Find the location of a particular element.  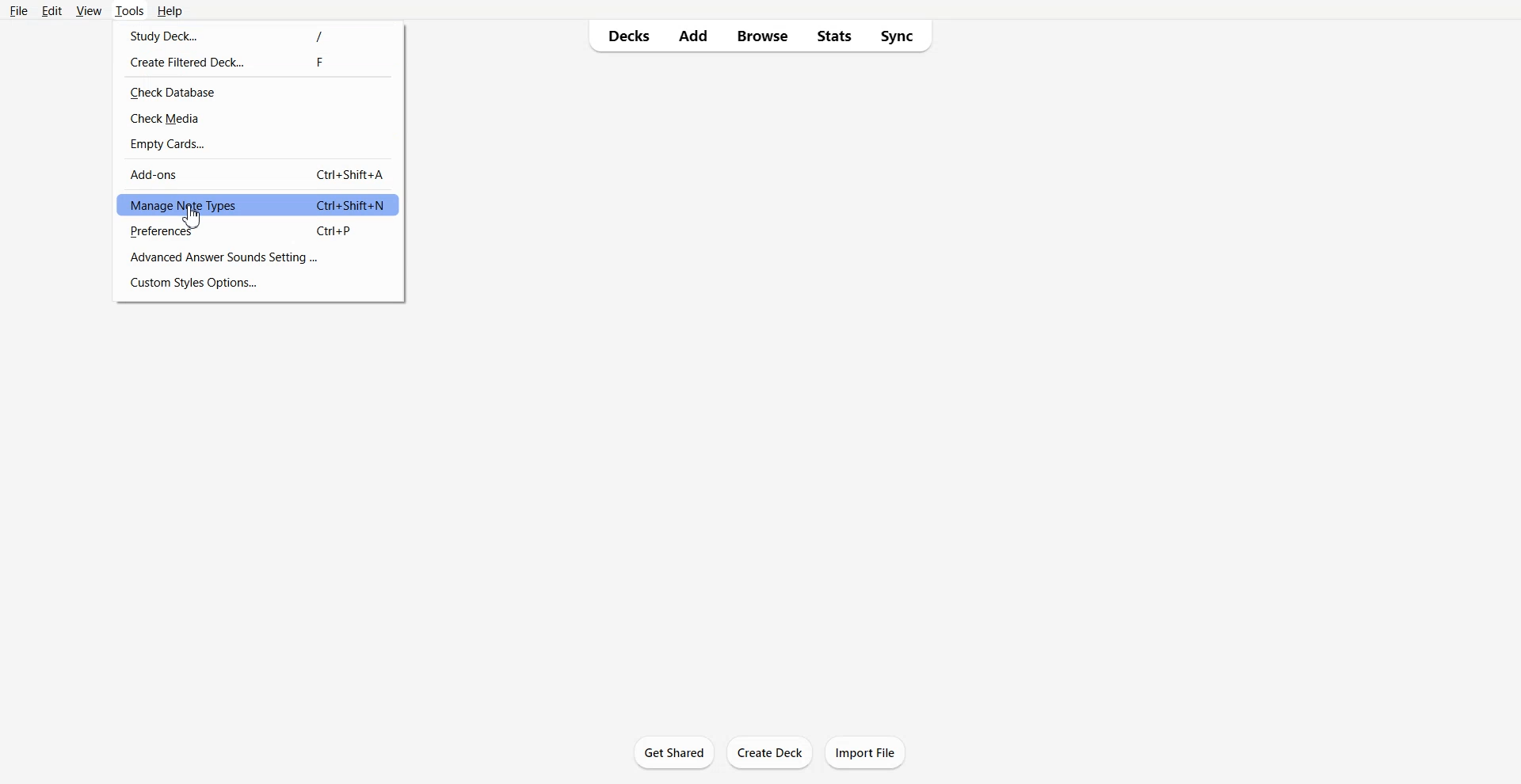

Help is located at coordinates (170, 11).